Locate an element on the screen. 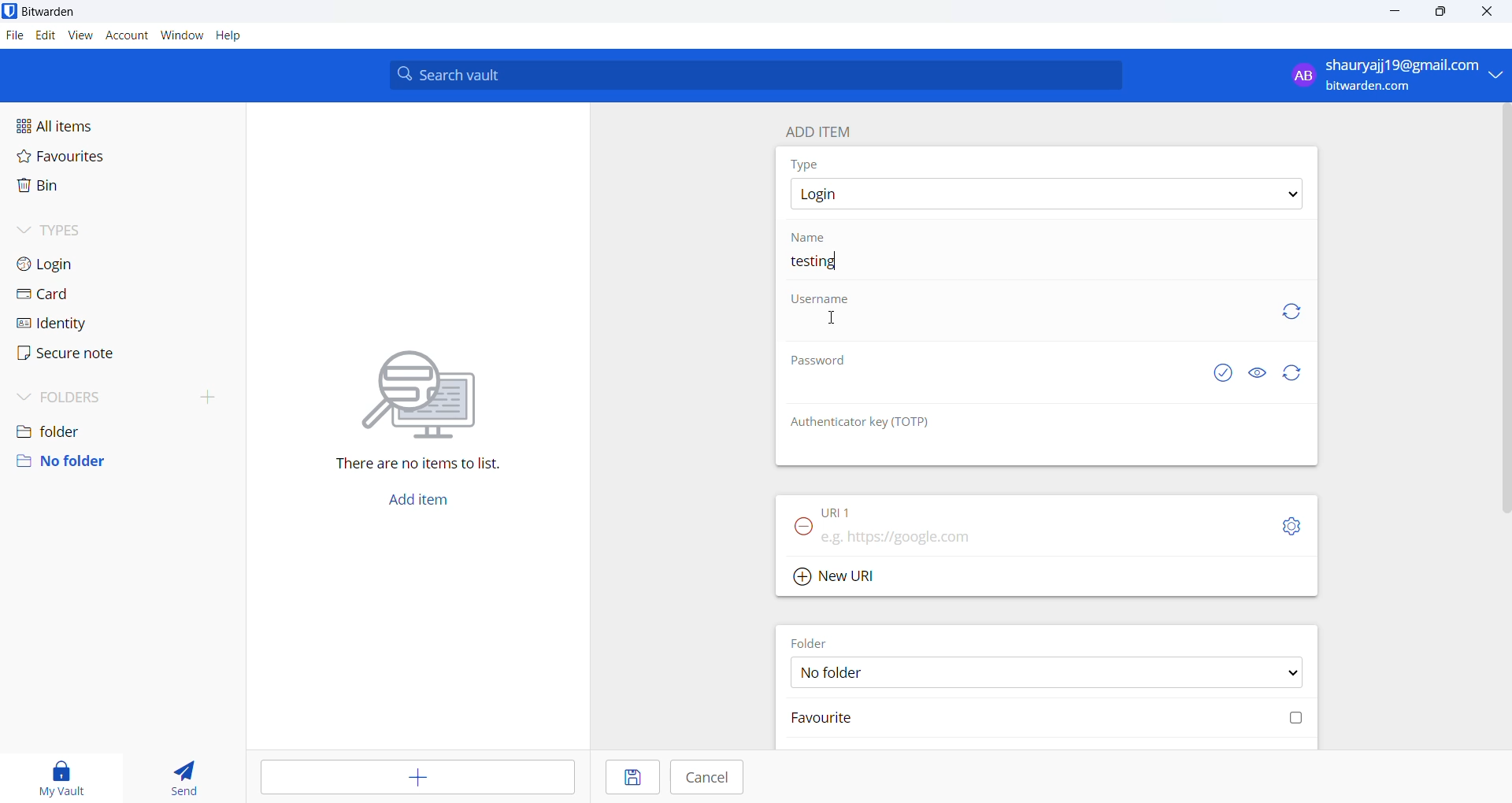  view is located at coordinates (78, 36).